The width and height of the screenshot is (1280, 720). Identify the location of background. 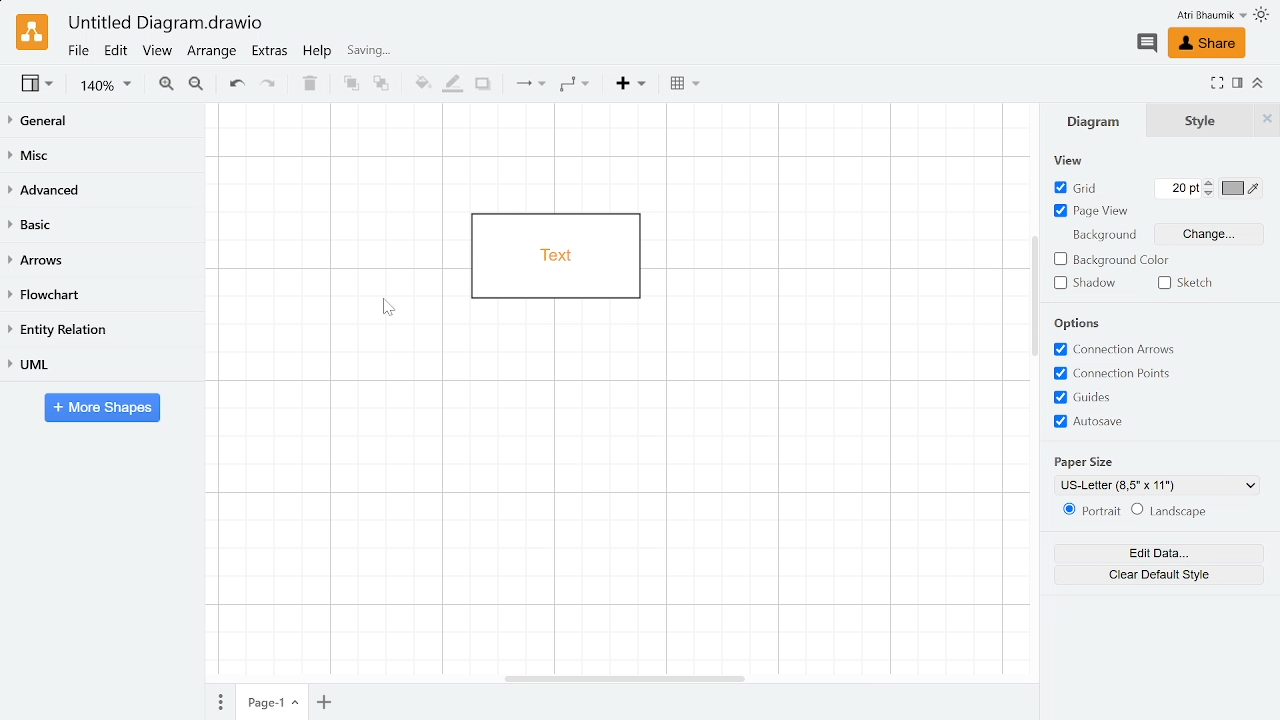
(1110, 238).